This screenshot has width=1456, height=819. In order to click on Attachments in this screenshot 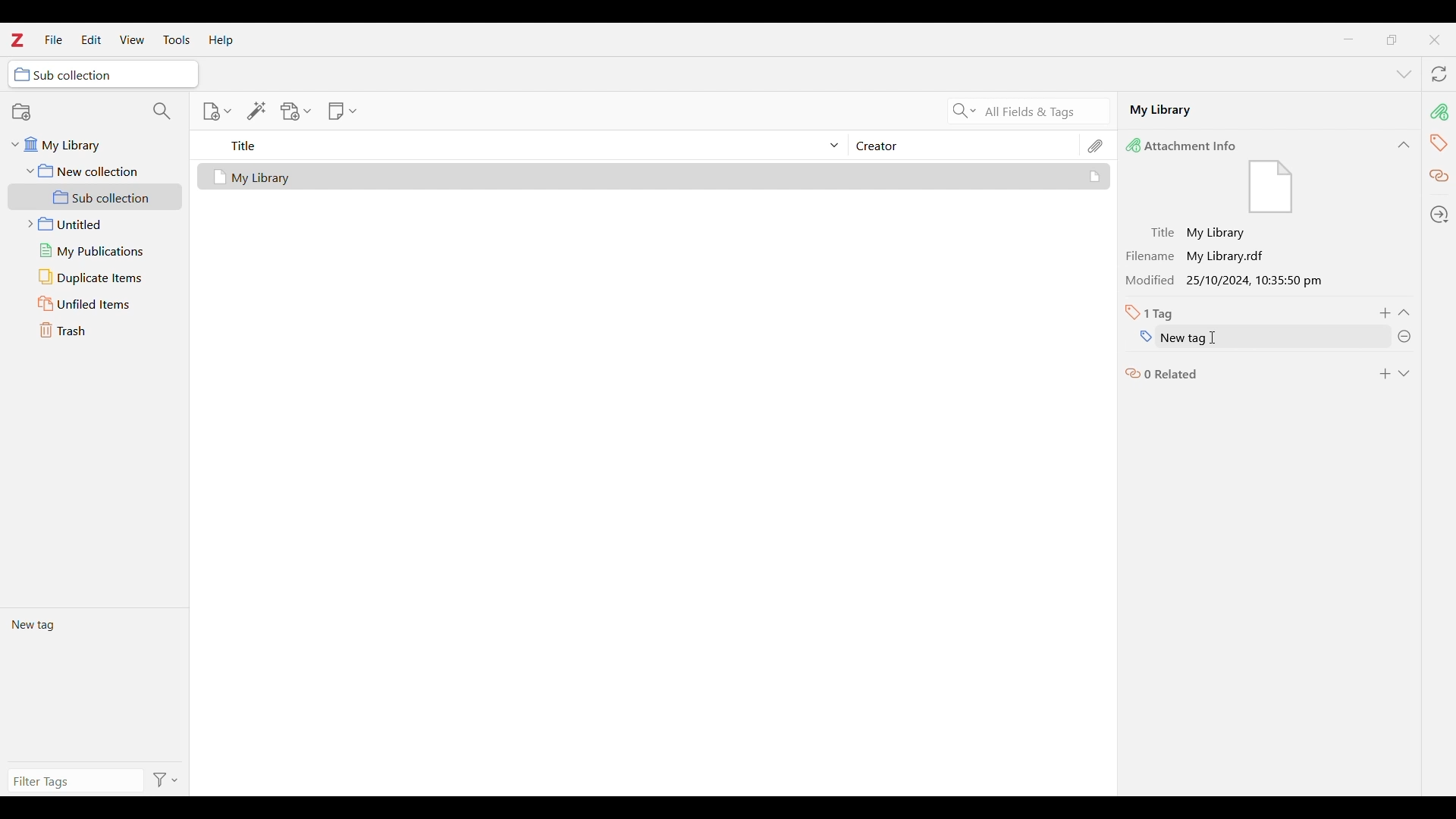, I will do `click(1097, 146)`.